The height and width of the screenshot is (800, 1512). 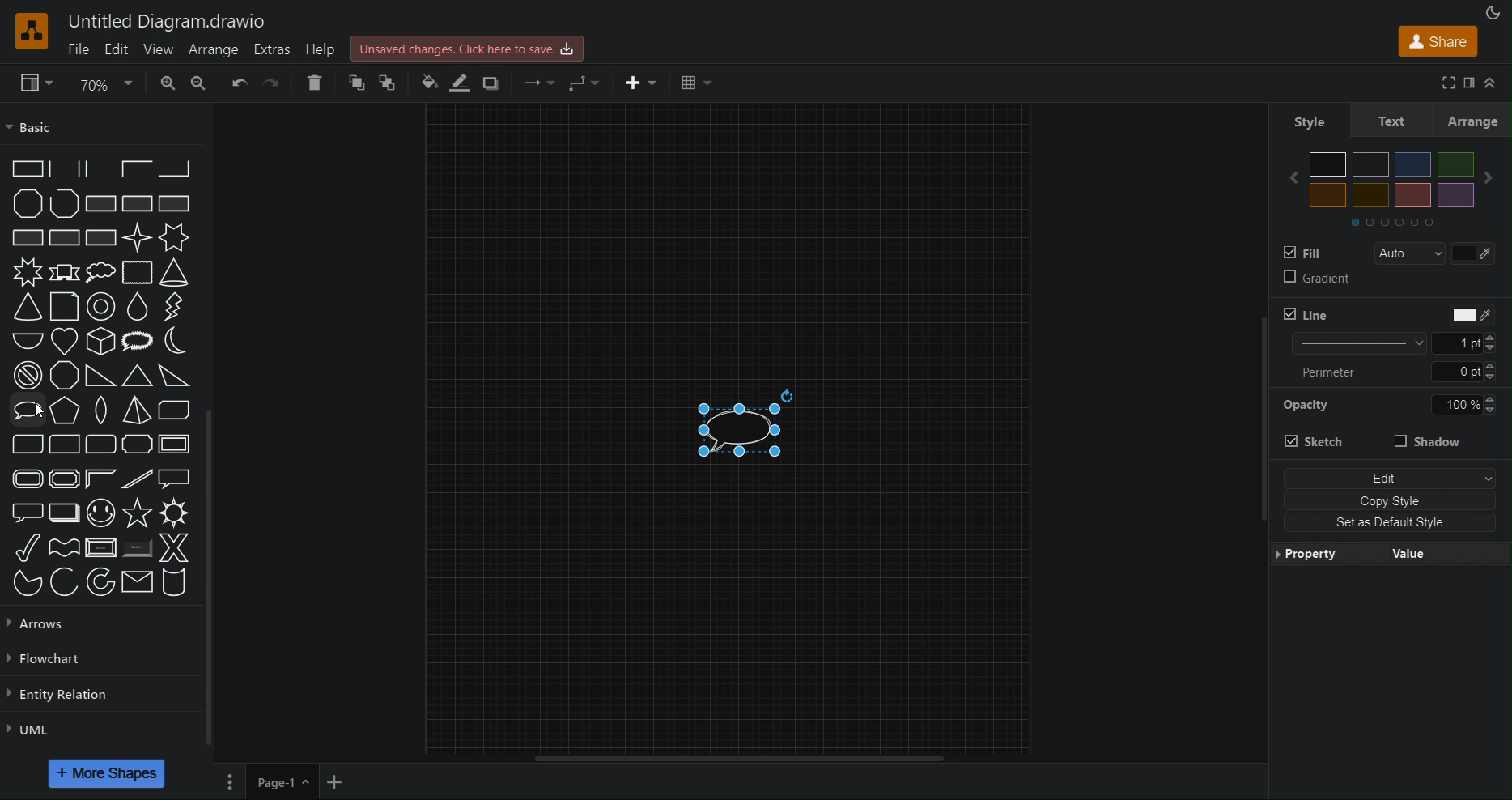 I want to click on Partial Rectangle, so click(x=98, y=169).